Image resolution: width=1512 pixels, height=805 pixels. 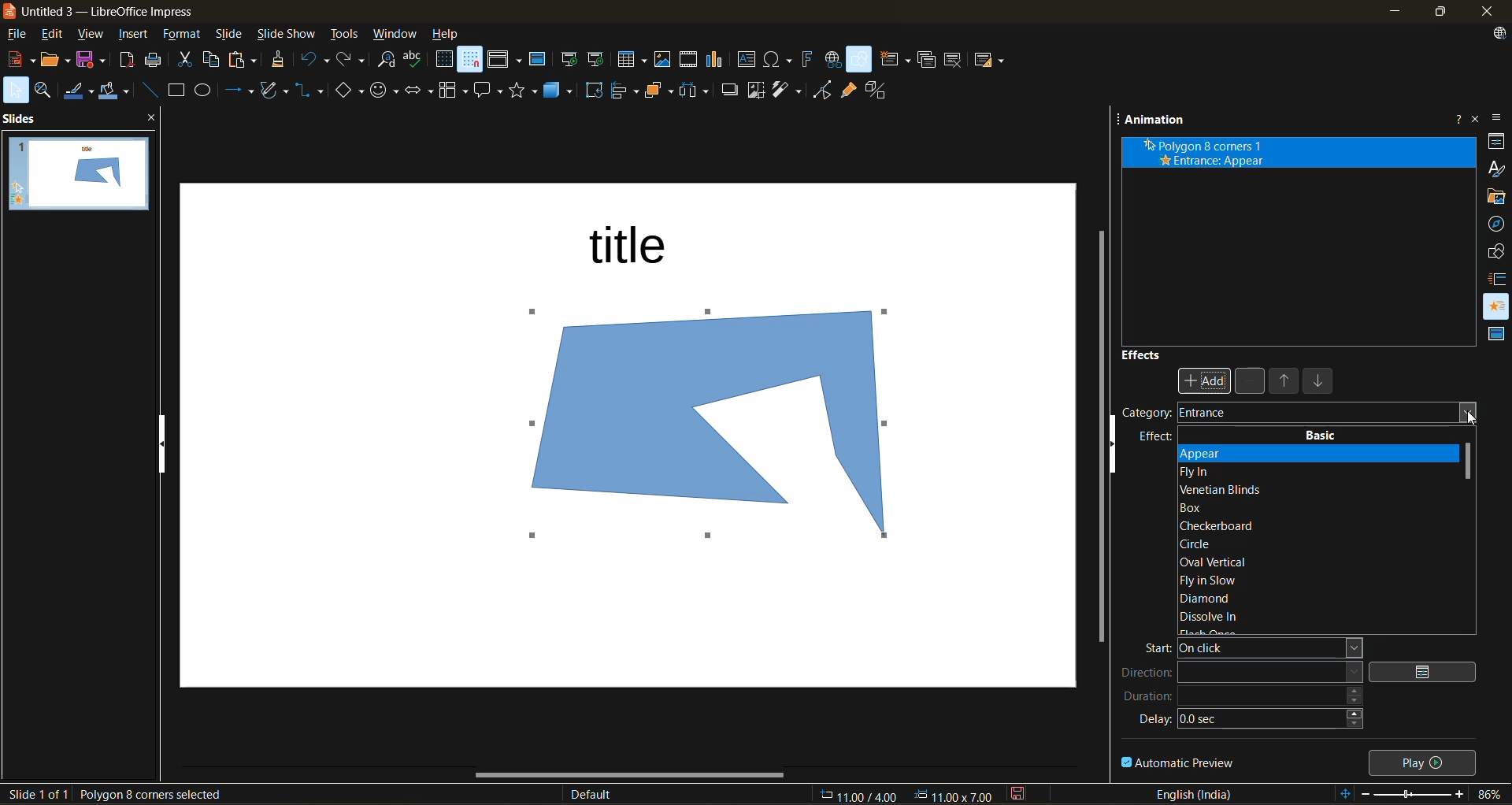 I want to click on toggle extrusion, so click(x=876, y=91).